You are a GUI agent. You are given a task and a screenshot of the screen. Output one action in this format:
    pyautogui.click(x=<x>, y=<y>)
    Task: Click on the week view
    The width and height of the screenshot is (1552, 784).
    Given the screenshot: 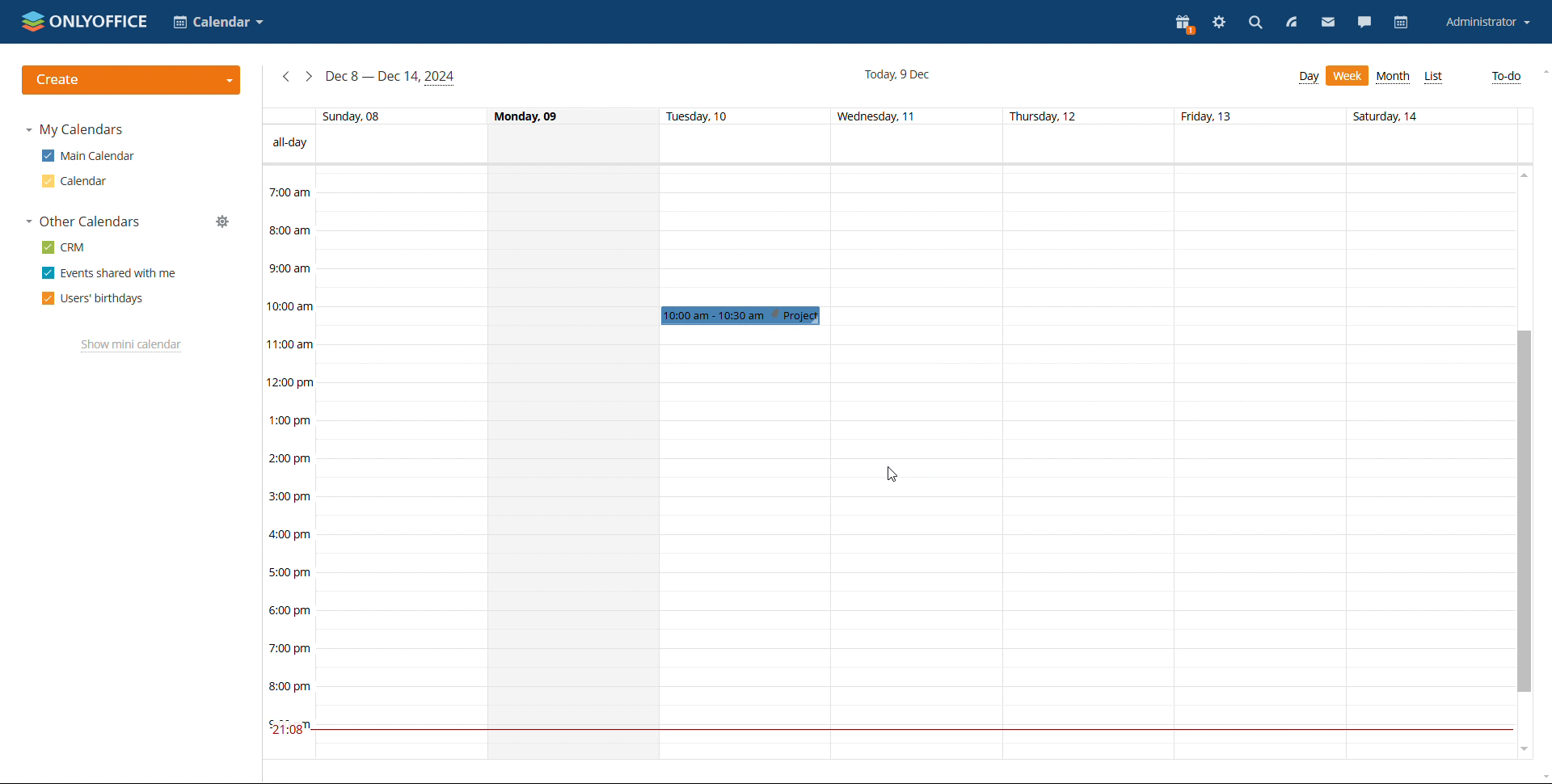 What is the action you would take?
    pyautogui.click(x=1347, y=75)
    